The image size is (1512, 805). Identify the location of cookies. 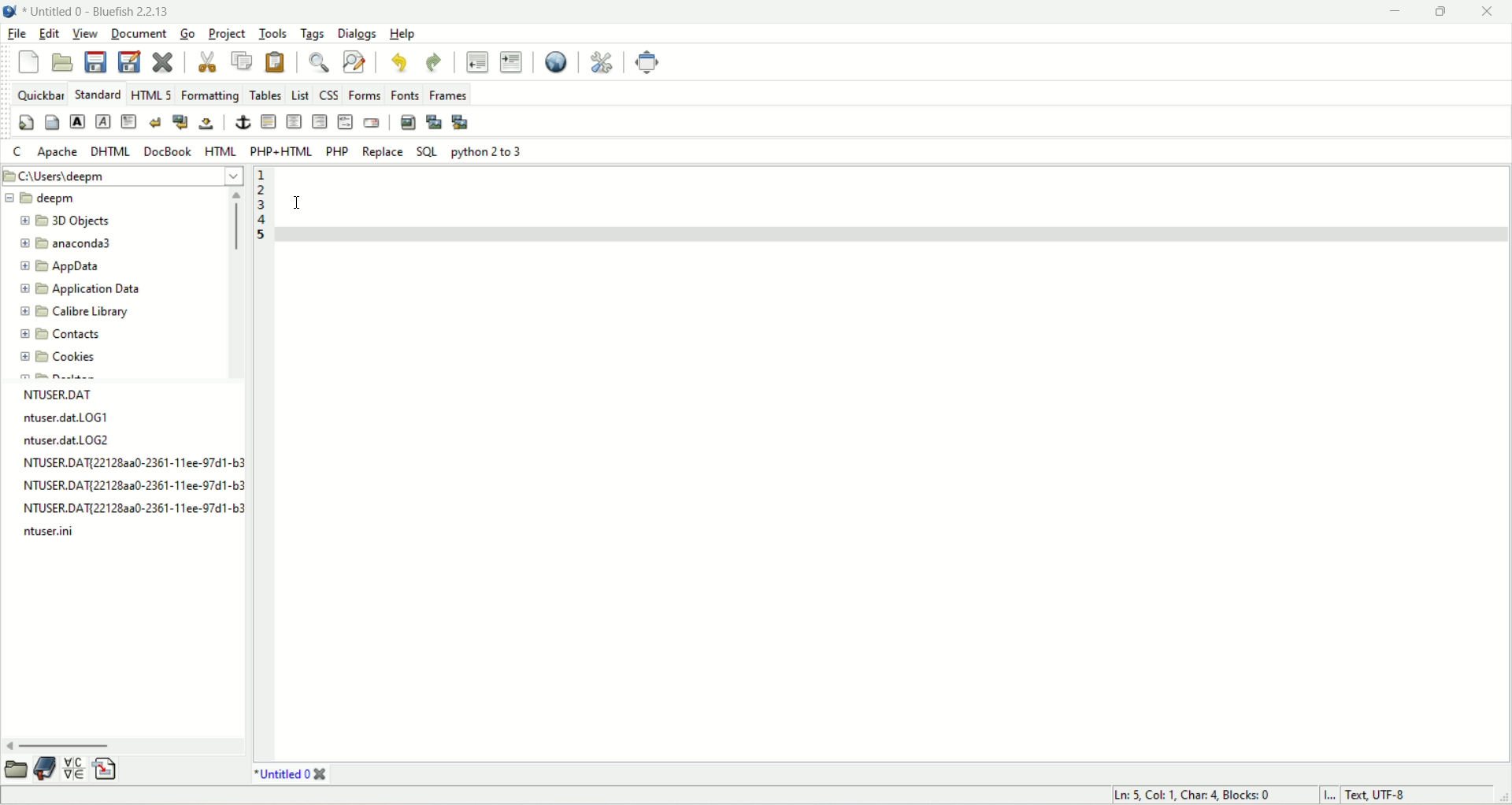
(57, 355).